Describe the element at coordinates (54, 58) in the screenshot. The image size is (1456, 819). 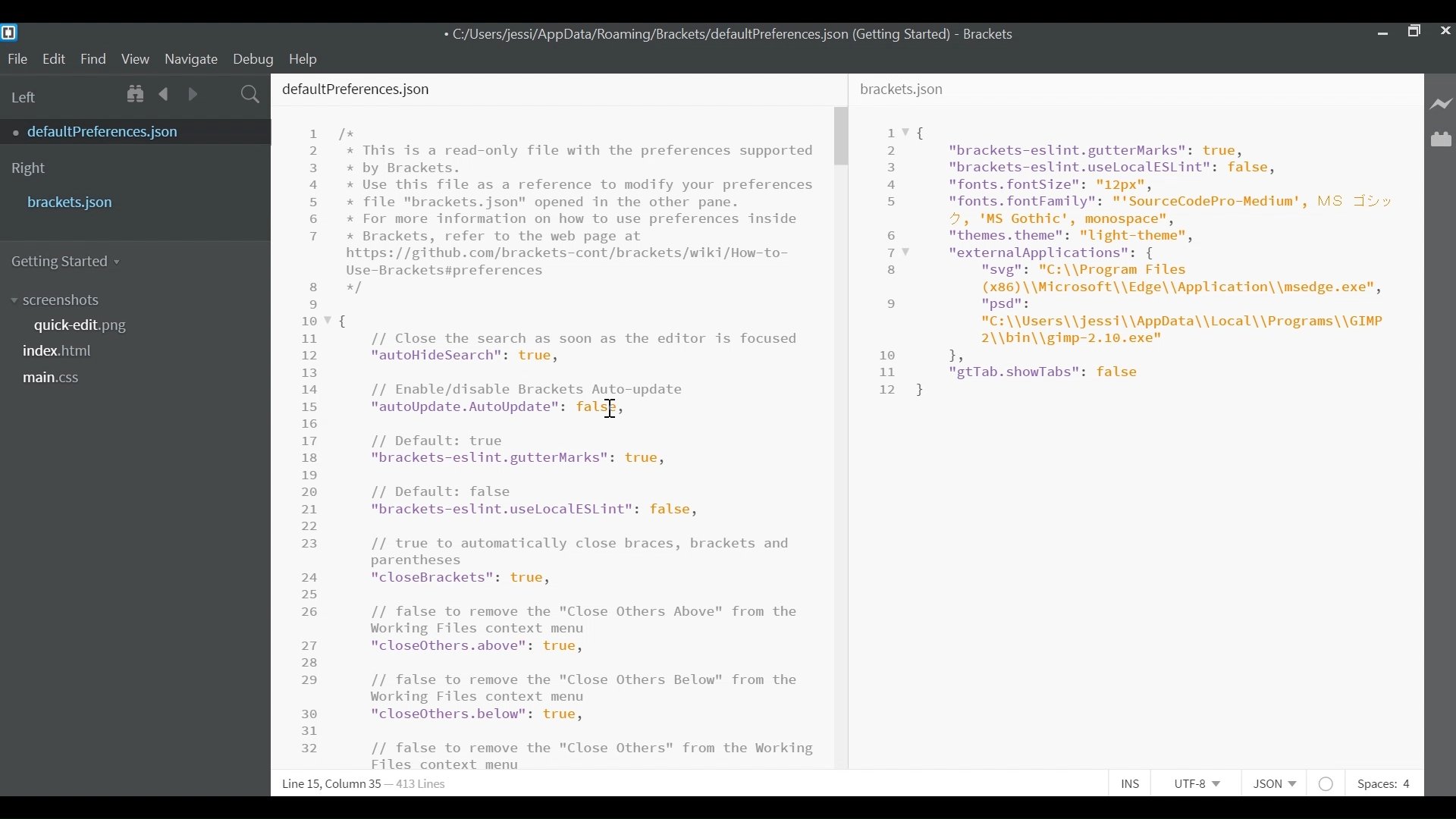
I see `Edit` at that location.